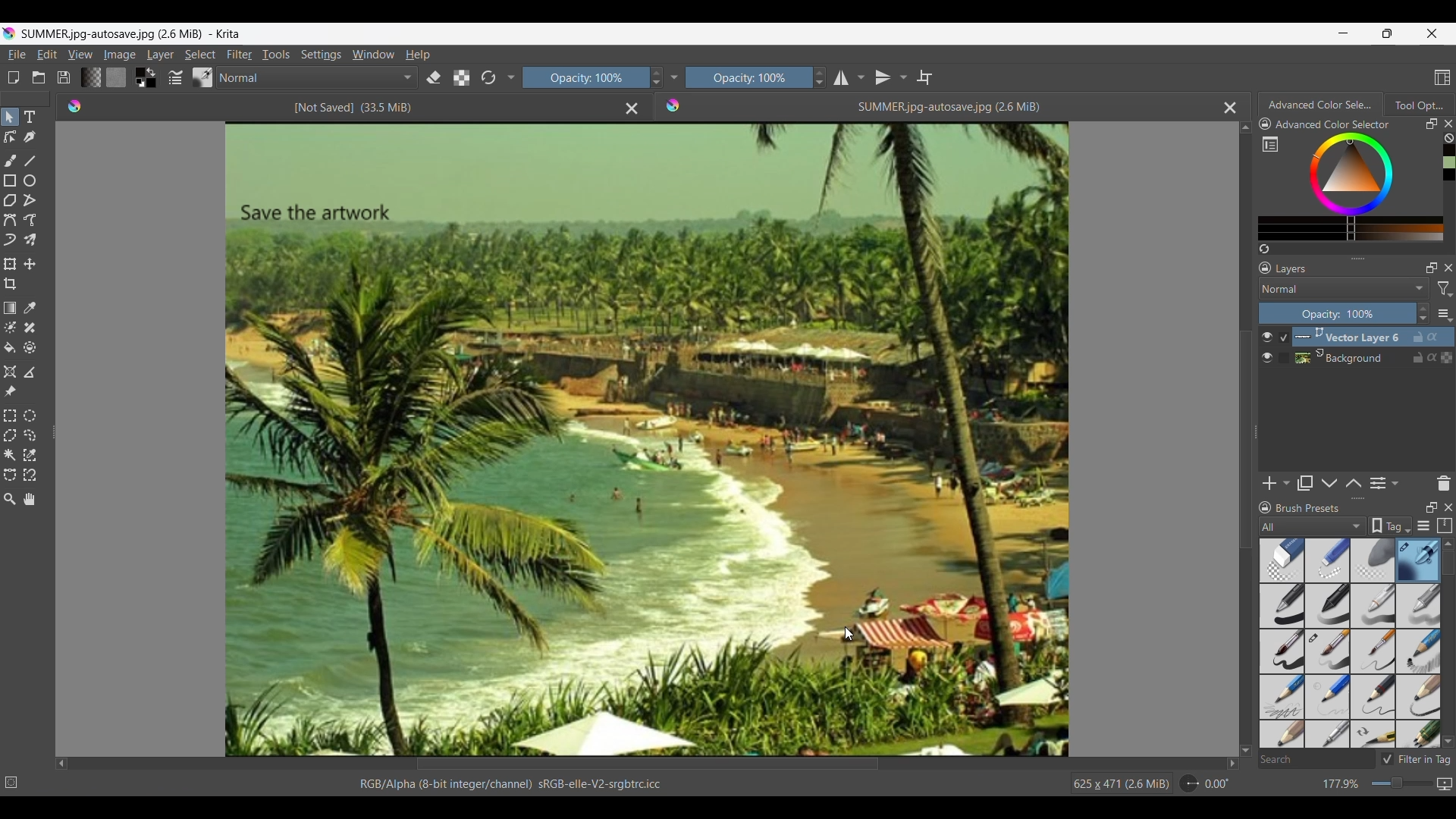 The width and height of the screenshot is (1456, 819). What do you see at coordinates (1246, 751) in the screenshot?
I see `Quick slide to bottom` at bounding box center [1246, 751].